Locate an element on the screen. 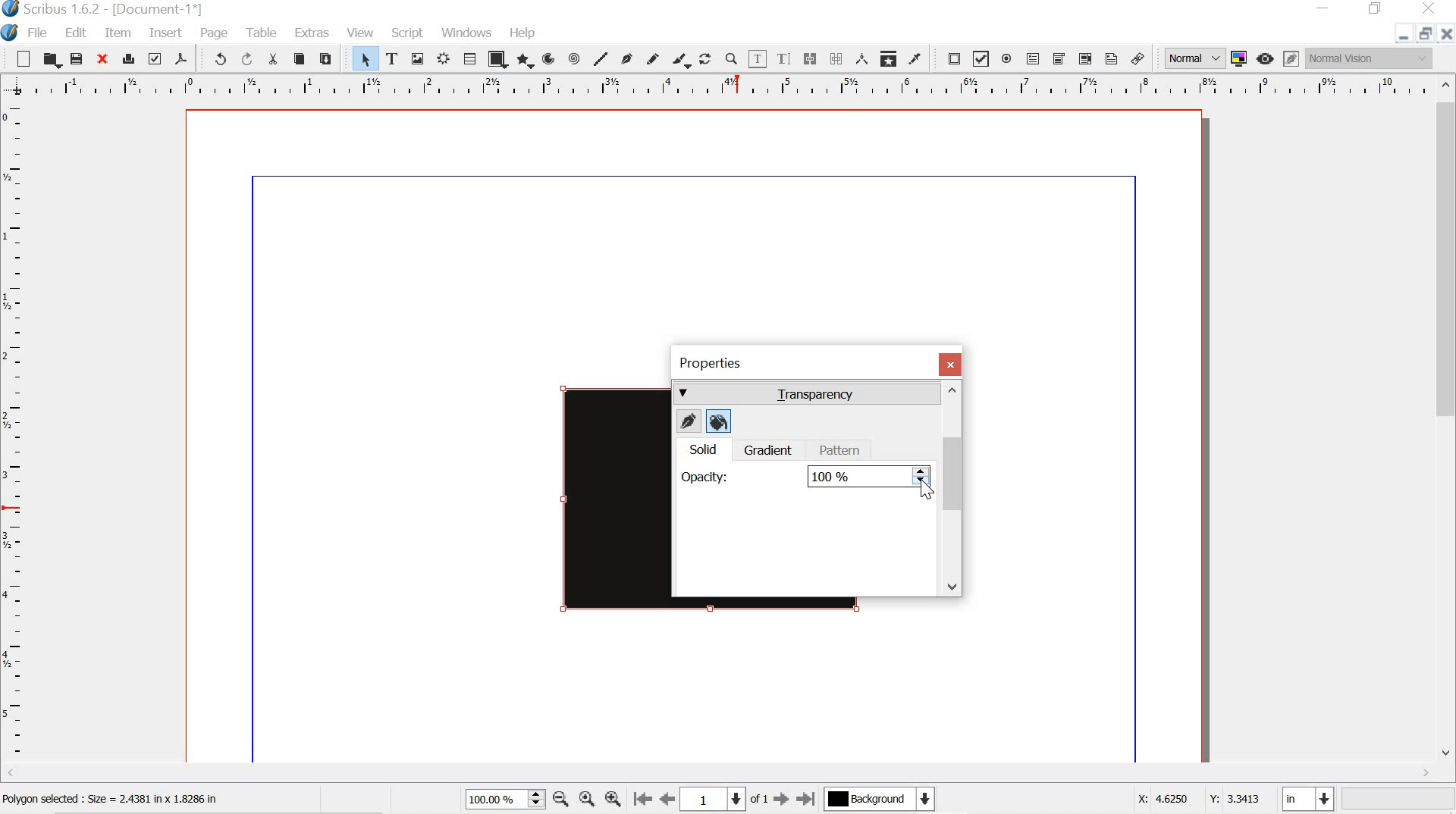 The image size is (1456, 814). zoom in or out is located at coordinates (733, 59).